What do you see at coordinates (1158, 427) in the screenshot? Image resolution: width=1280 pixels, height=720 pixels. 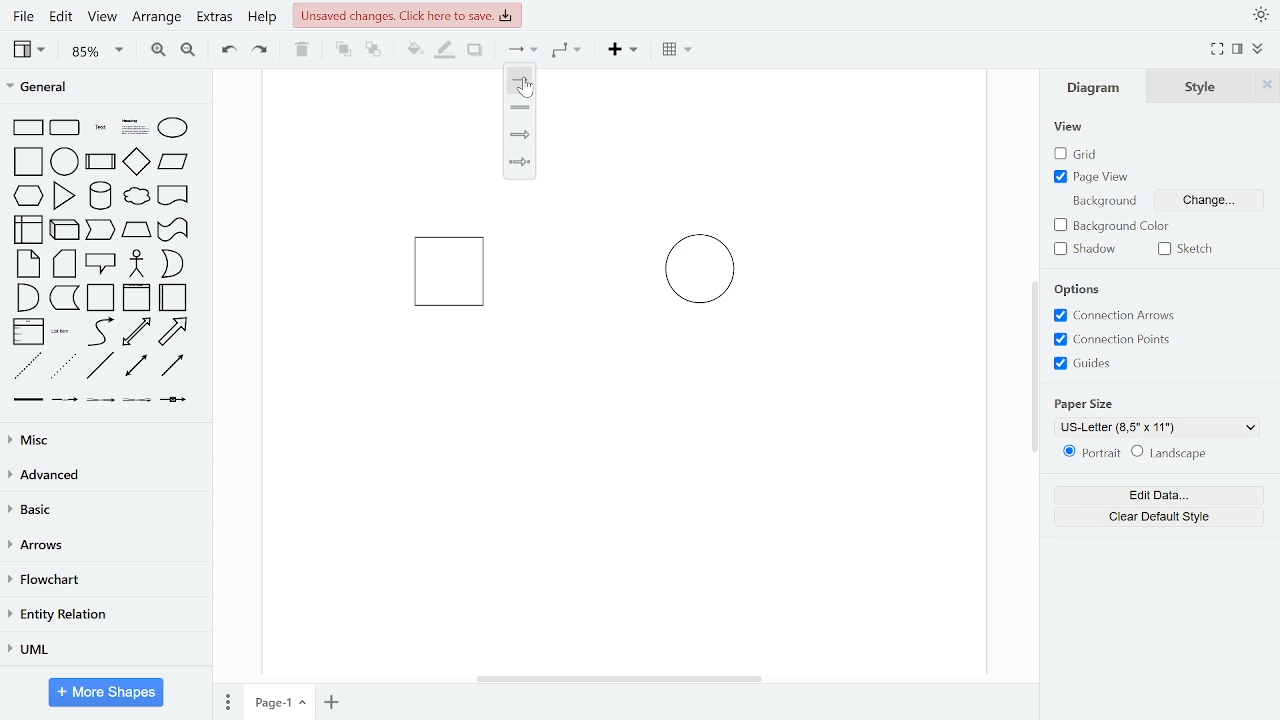 I see `current paper size` at bounding box center [1158, 427].